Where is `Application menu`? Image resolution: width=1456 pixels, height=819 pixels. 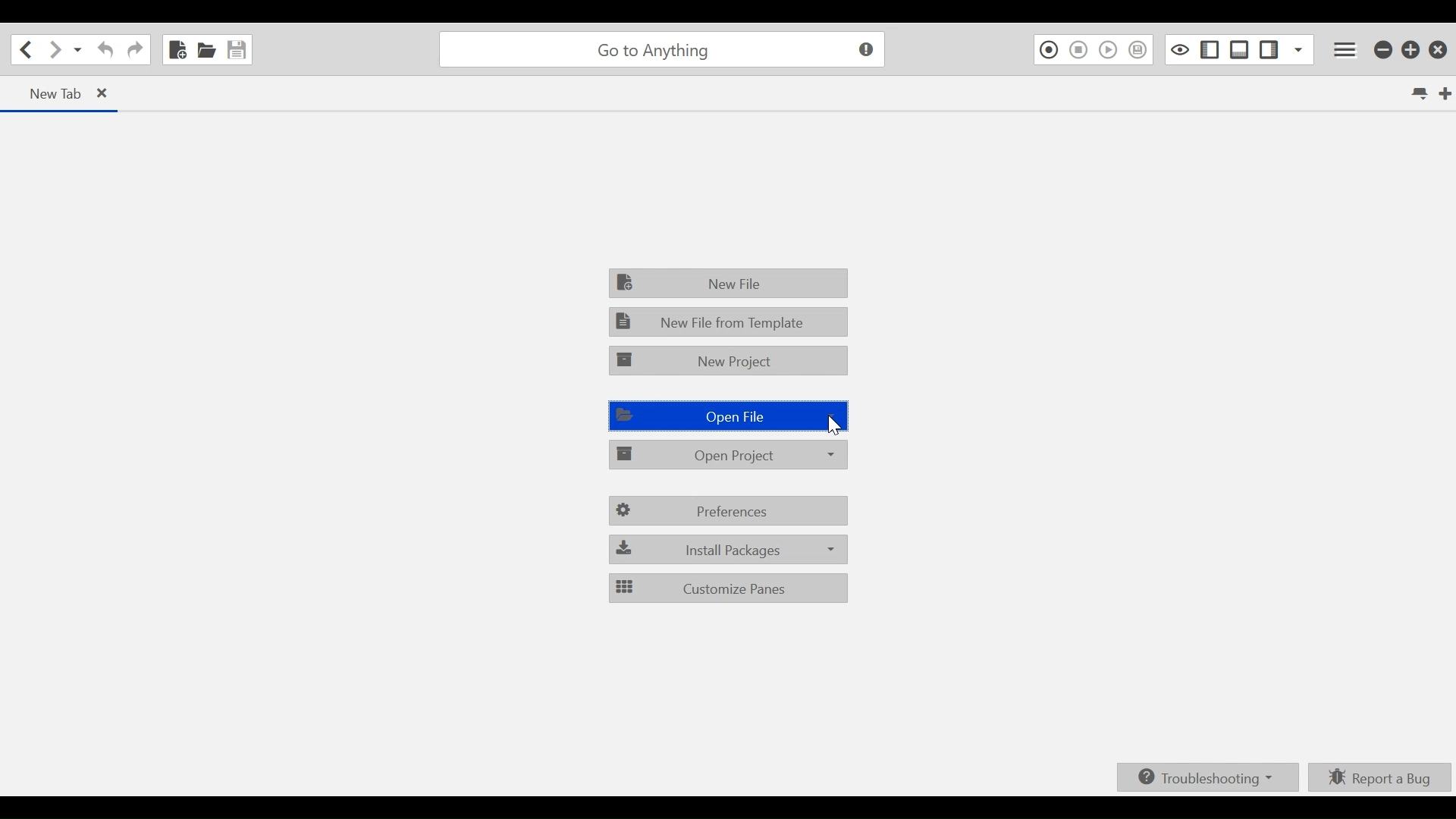 Application menu is located at coordinates (1347, 50).